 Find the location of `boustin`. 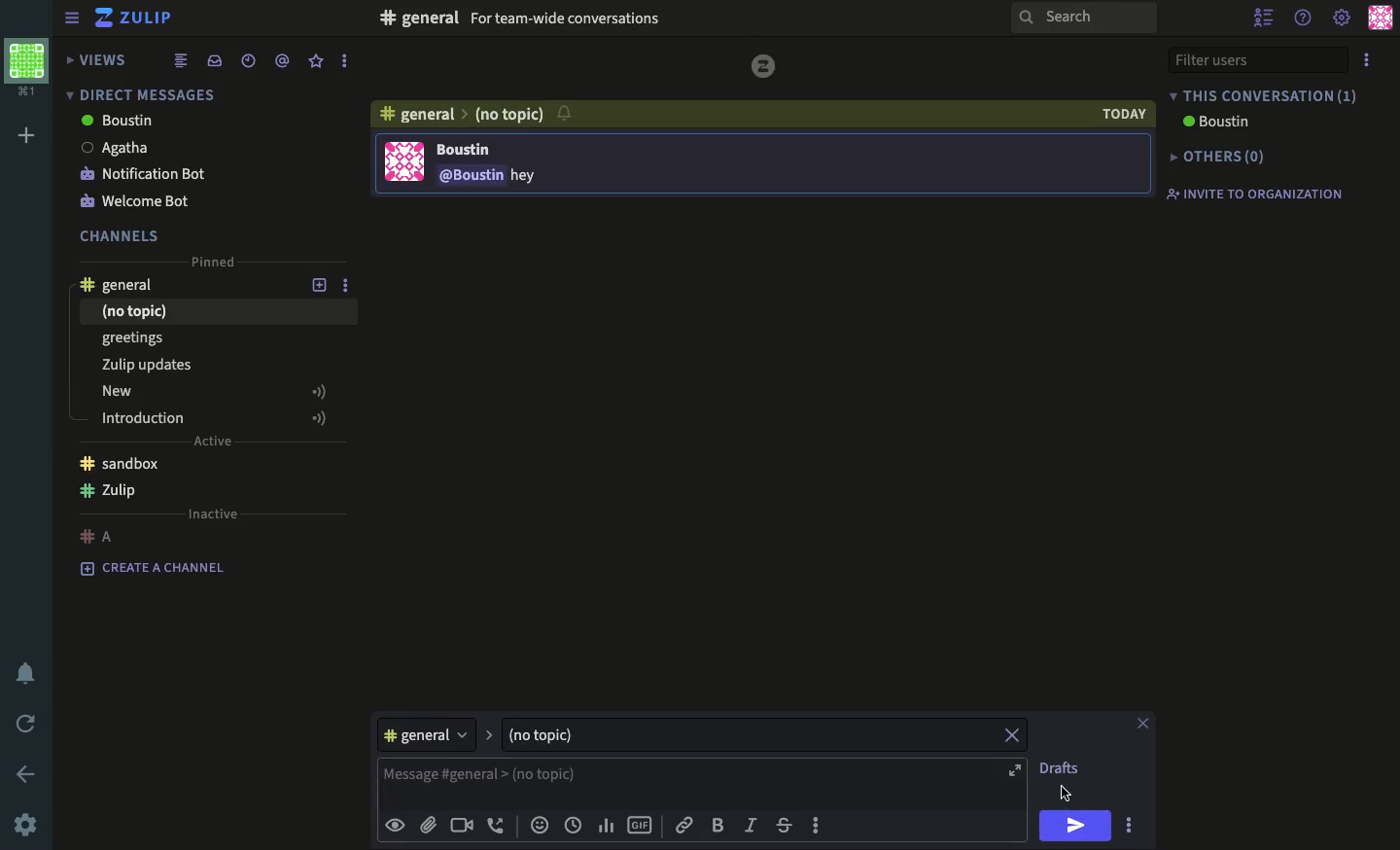

boustin is located at coordinates (1213, 122).